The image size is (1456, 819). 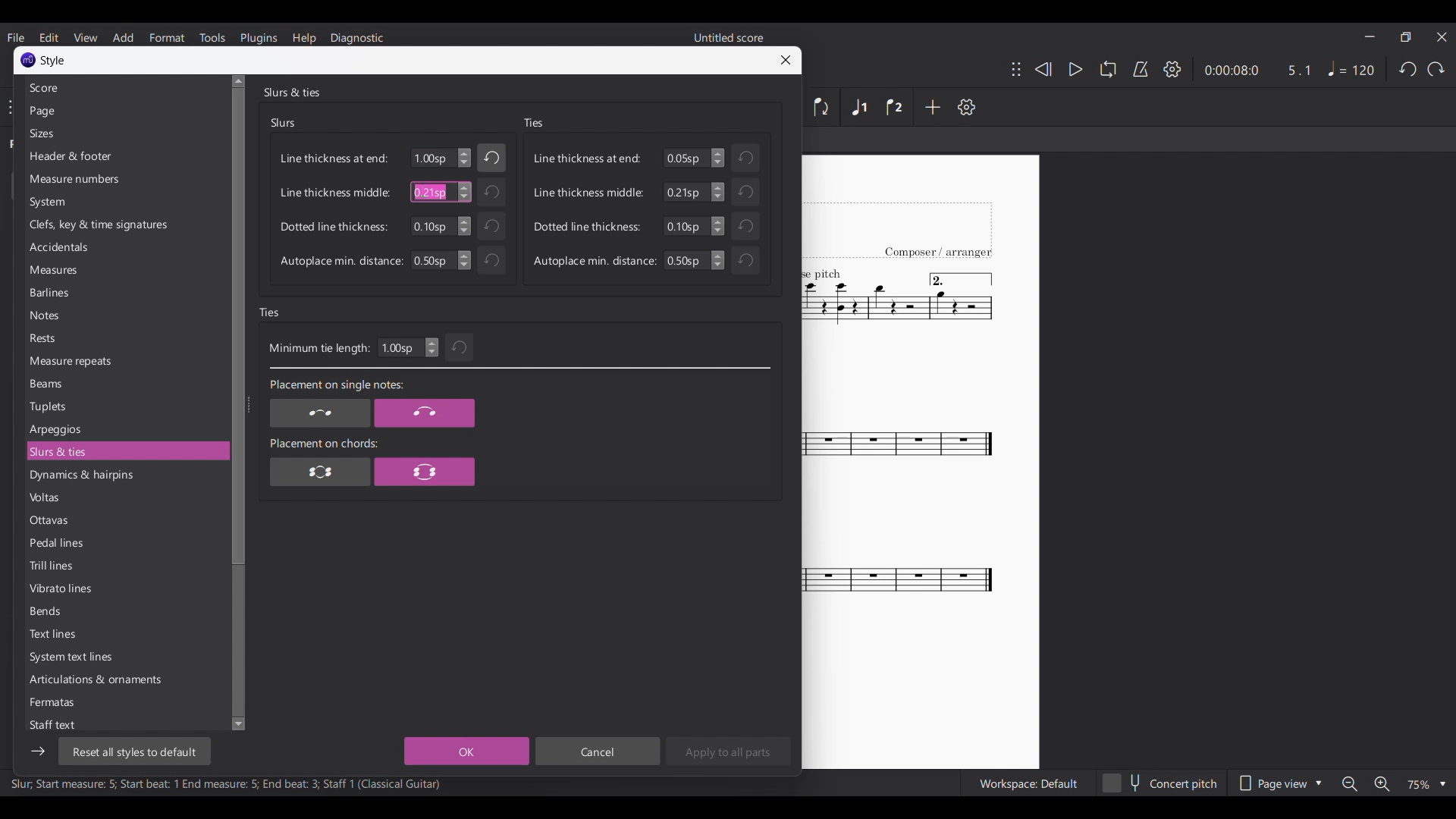 I want to click on Line thickness at end, so click(x=334, y=158).